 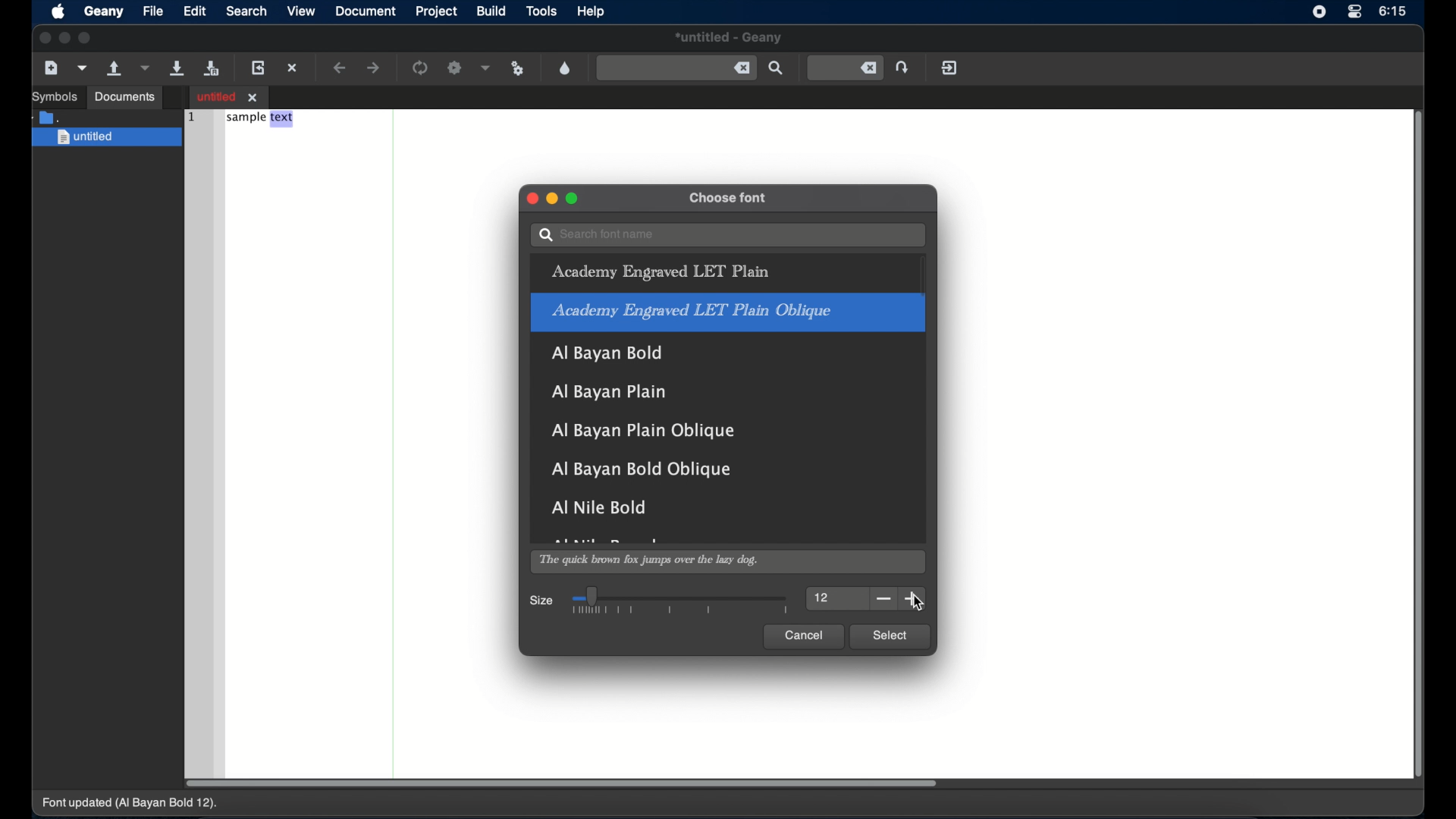 What do you see at coordinates (146, 67) in the screenshot?
I see `open a recent file` at bounding box center [146, 67].